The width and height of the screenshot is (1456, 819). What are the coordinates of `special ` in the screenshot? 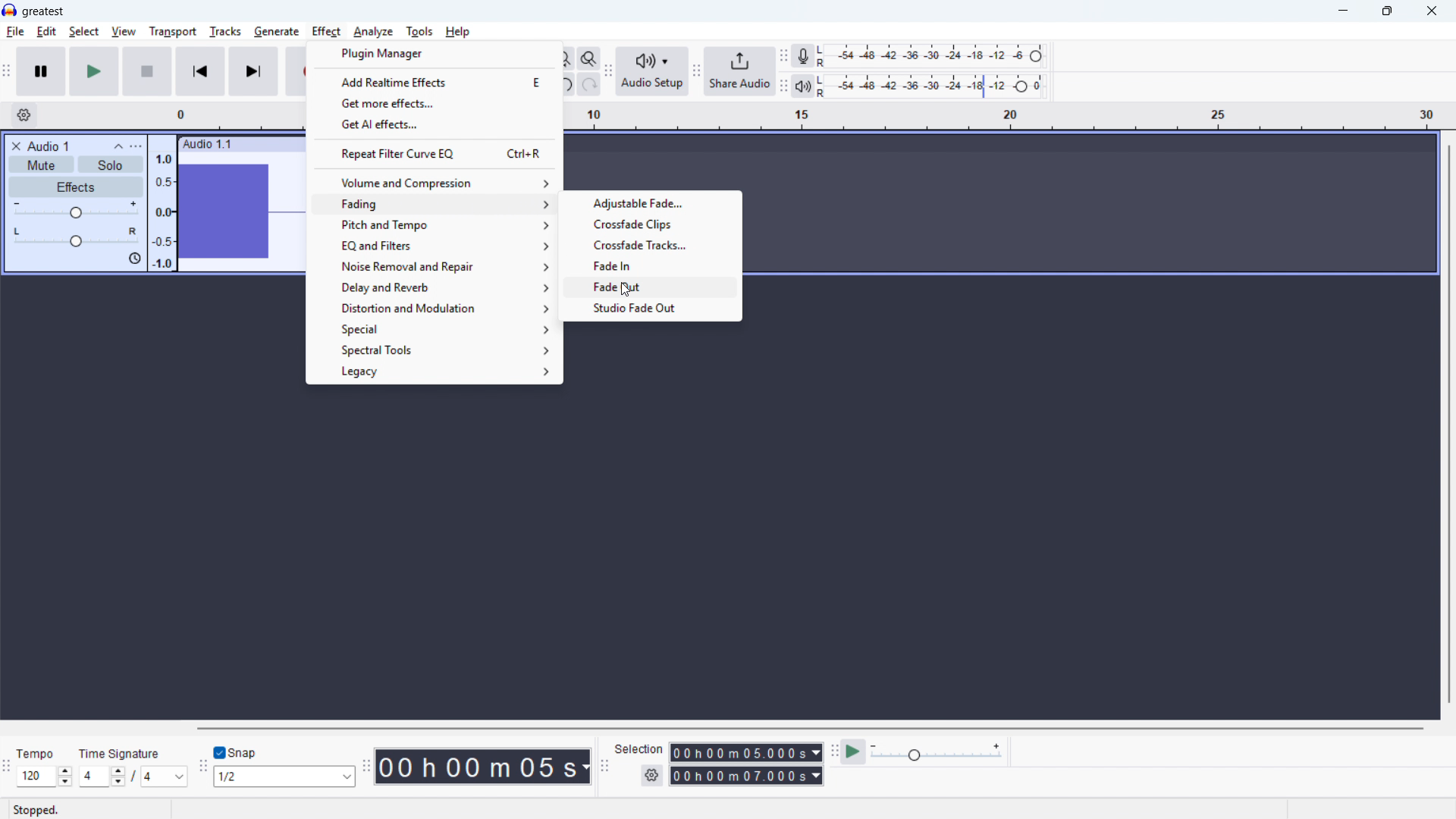 It's located at (435, 330).